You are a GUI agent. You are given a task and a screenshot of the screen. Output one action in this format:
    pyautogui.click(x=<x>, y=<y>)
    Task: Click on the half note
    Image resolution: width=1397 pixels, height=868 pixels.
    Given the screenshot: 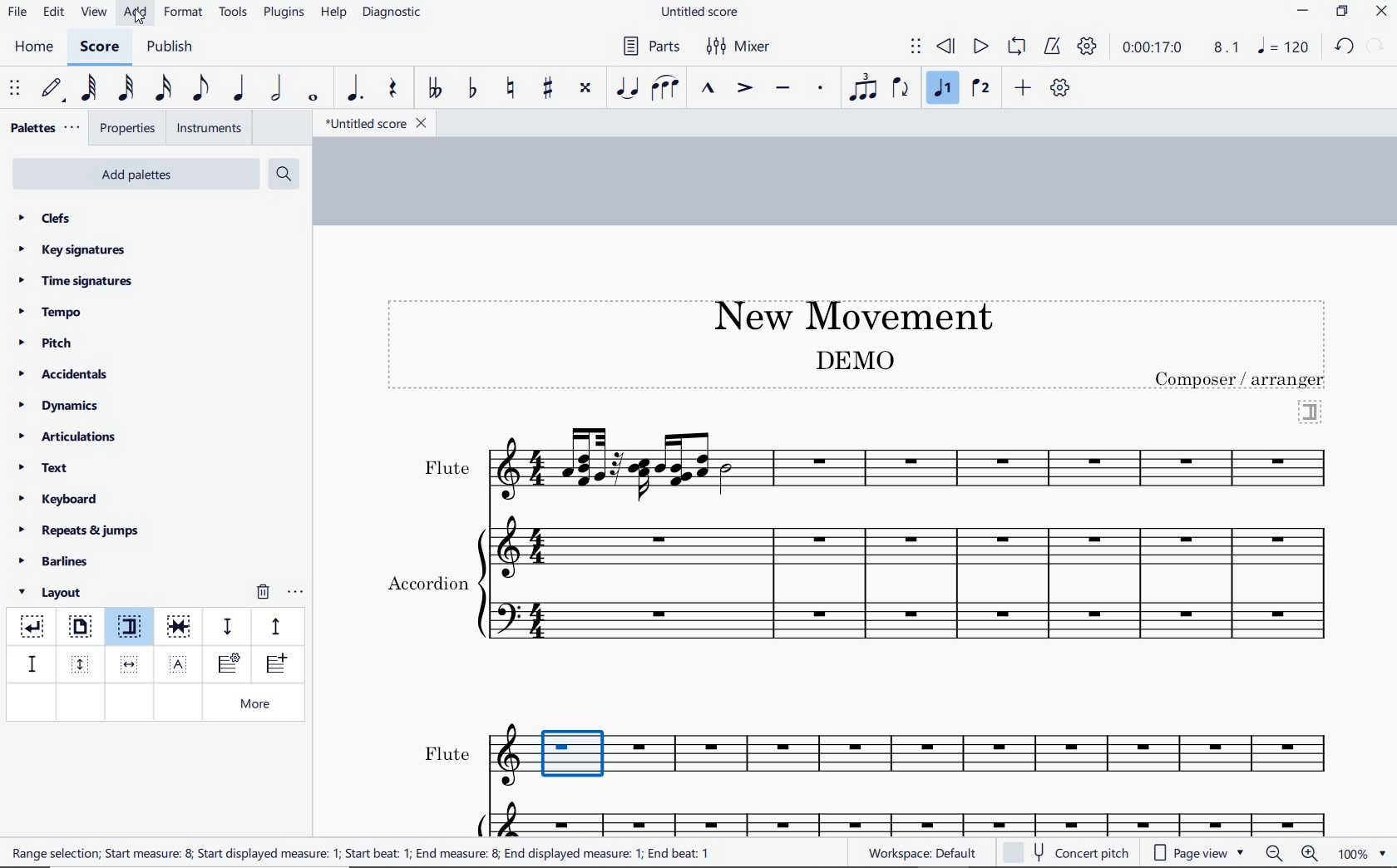 What is the action you would take?
    pyautogui.click(x=276, y=89)
    